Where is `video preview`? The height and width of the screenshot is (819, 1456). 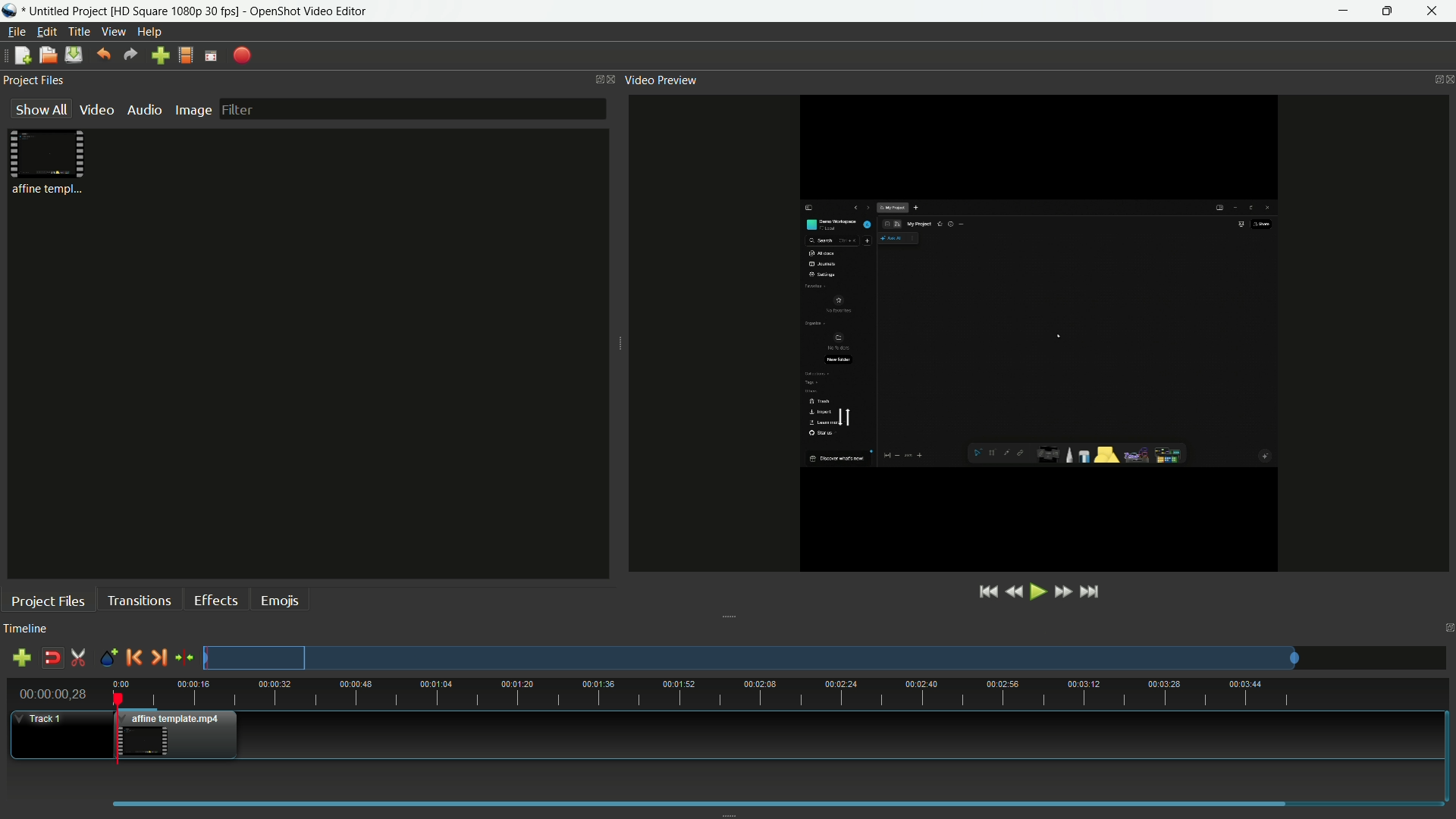
video preview is located at coordinates (1034, 331).